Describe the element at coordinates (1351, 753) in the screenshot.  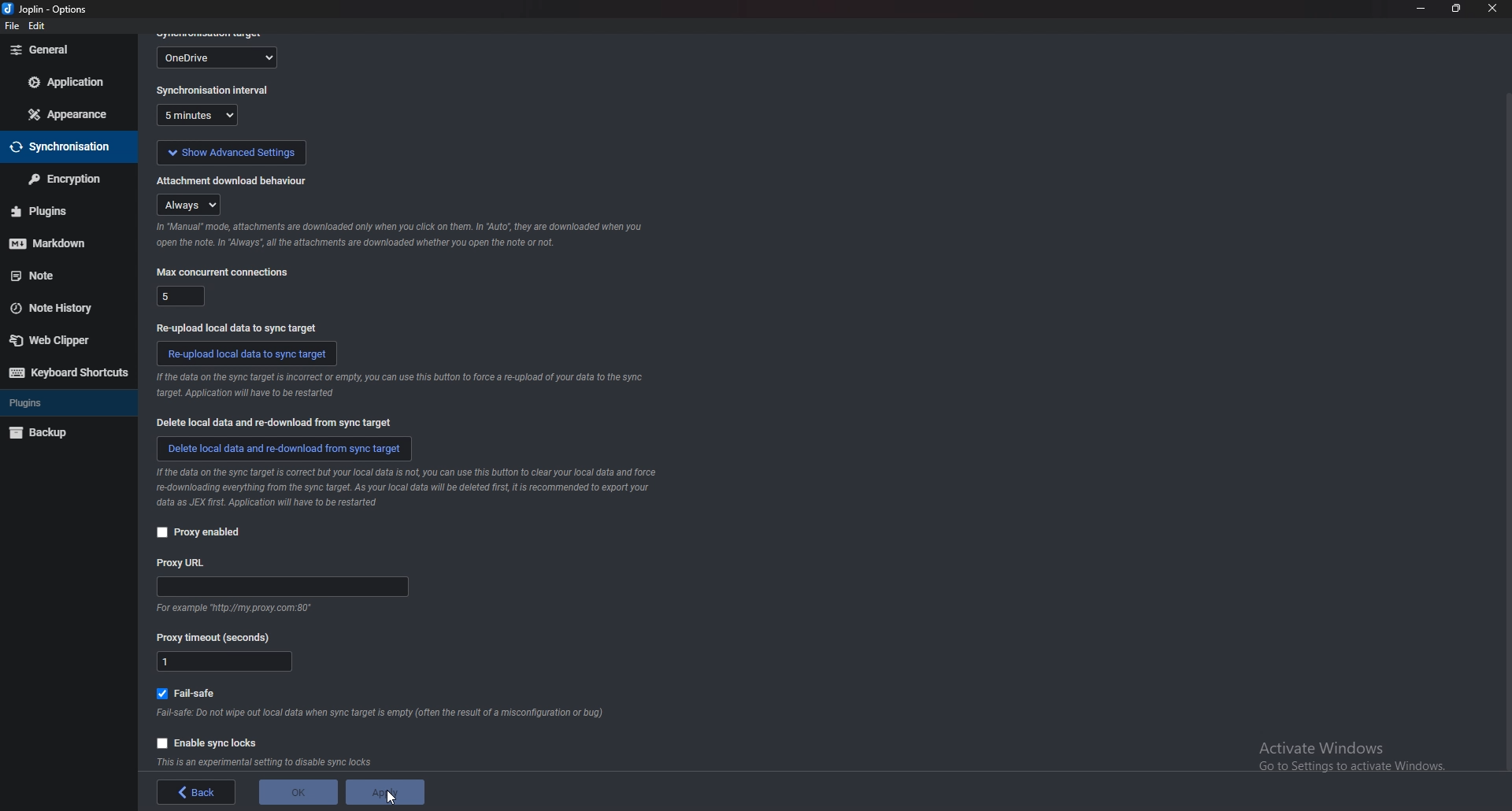
I see `Activate Windows` at that location.